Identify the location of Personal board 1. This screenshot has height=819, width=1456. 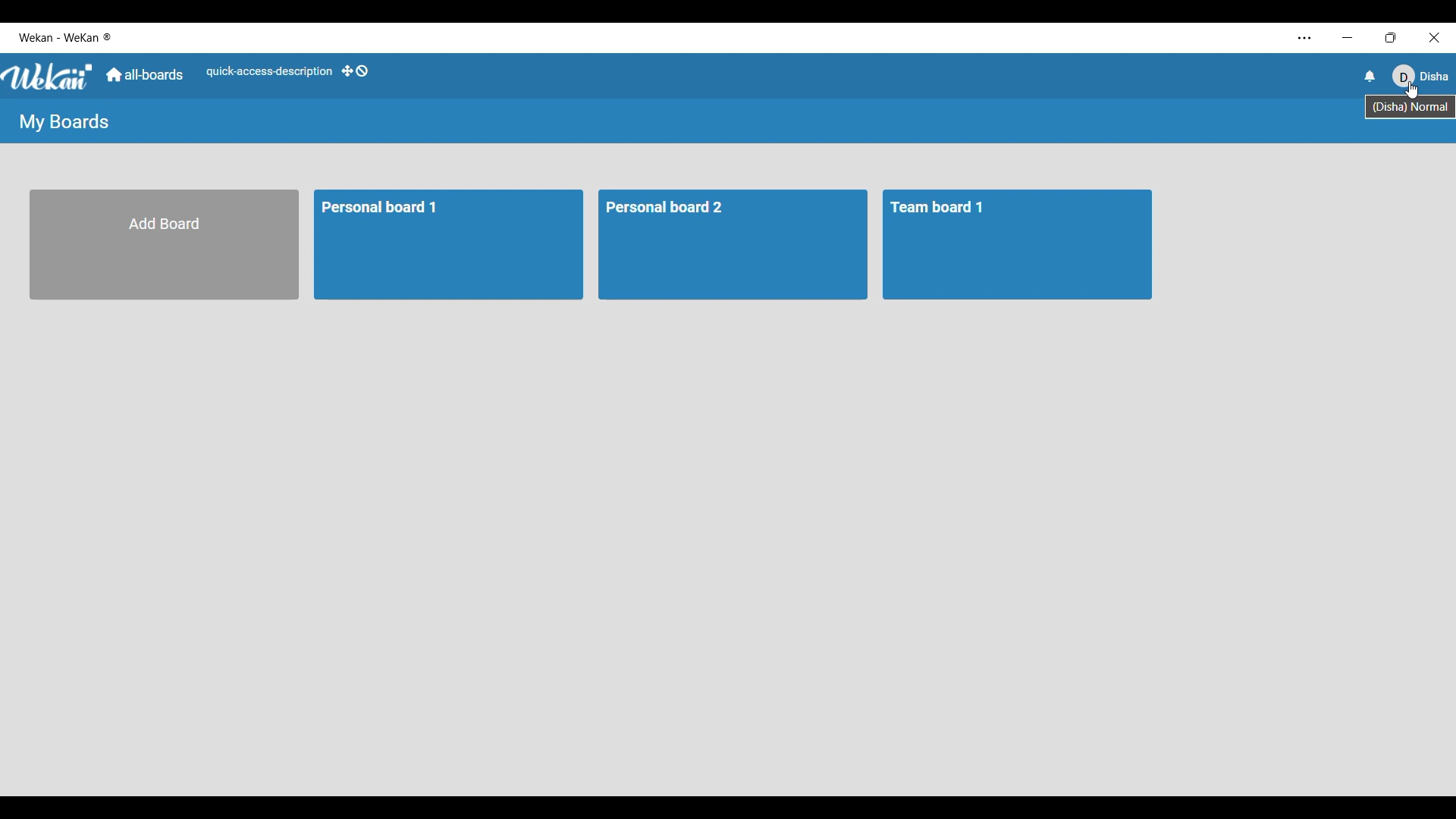
(448, 243).